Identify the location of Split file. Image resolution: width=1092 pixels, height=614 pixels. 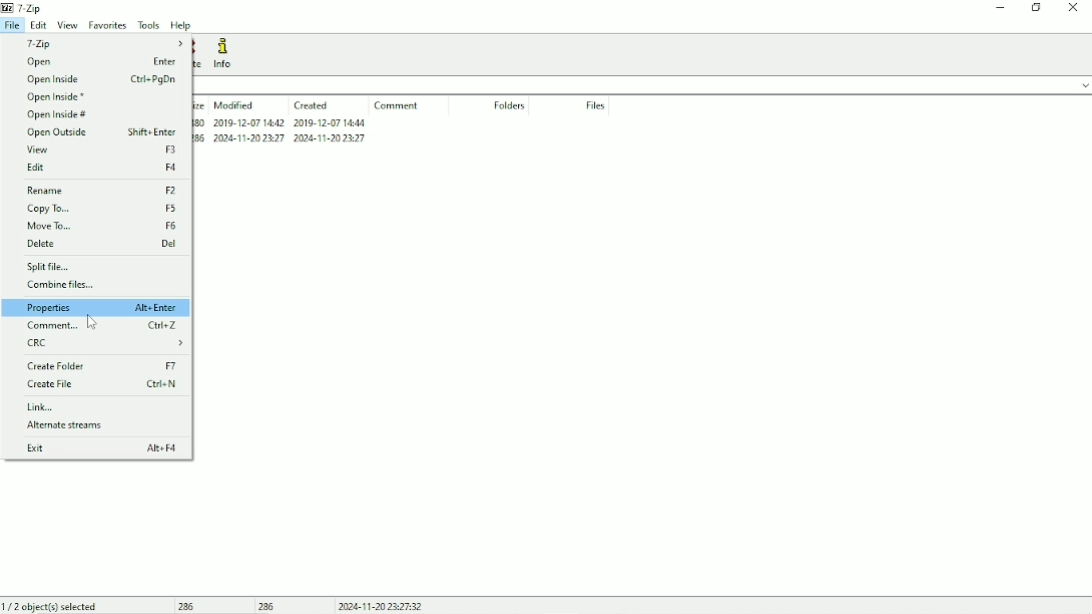
(58, 267).